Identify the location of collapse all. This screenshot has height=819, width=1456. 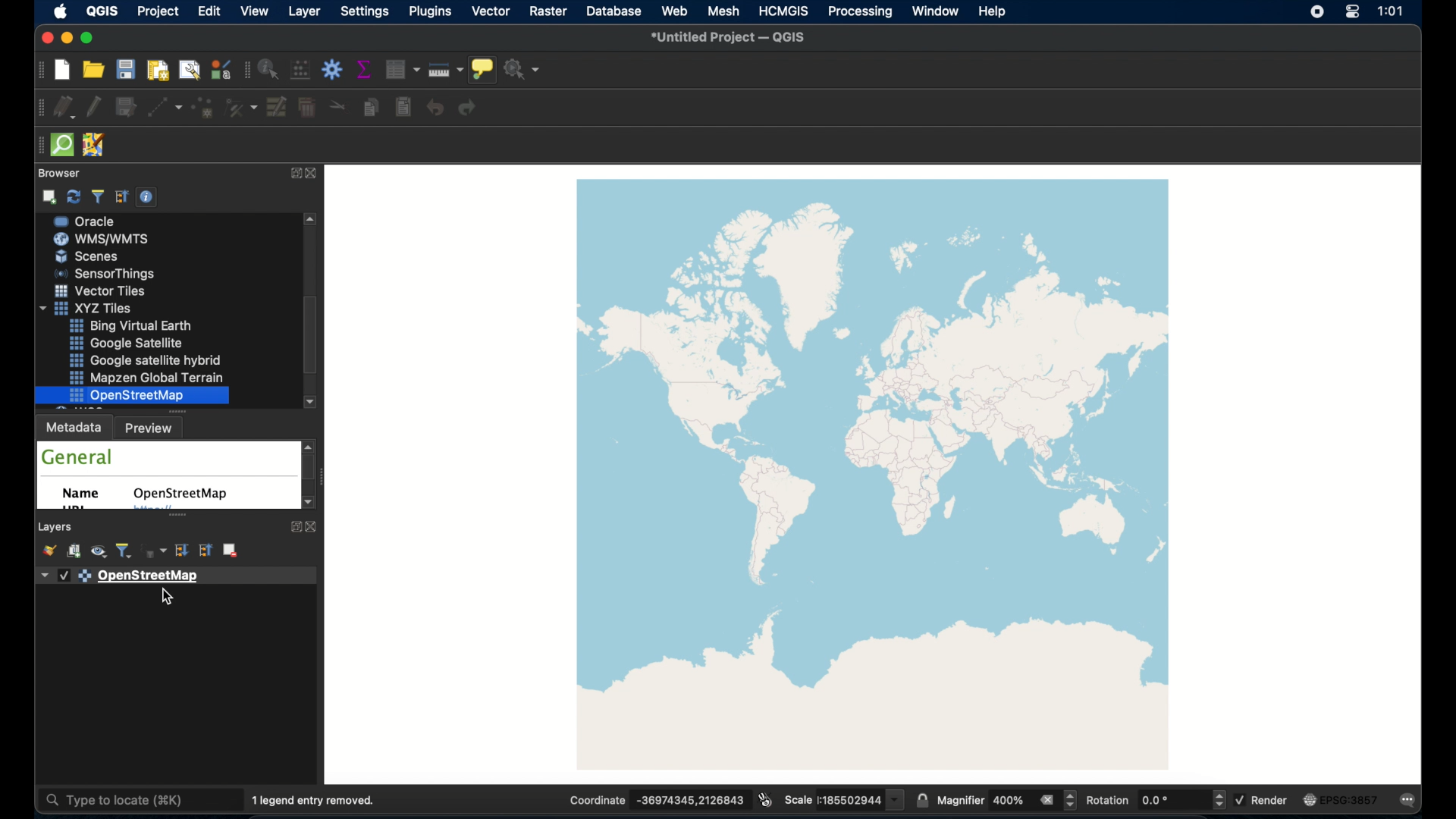
(205, 551).